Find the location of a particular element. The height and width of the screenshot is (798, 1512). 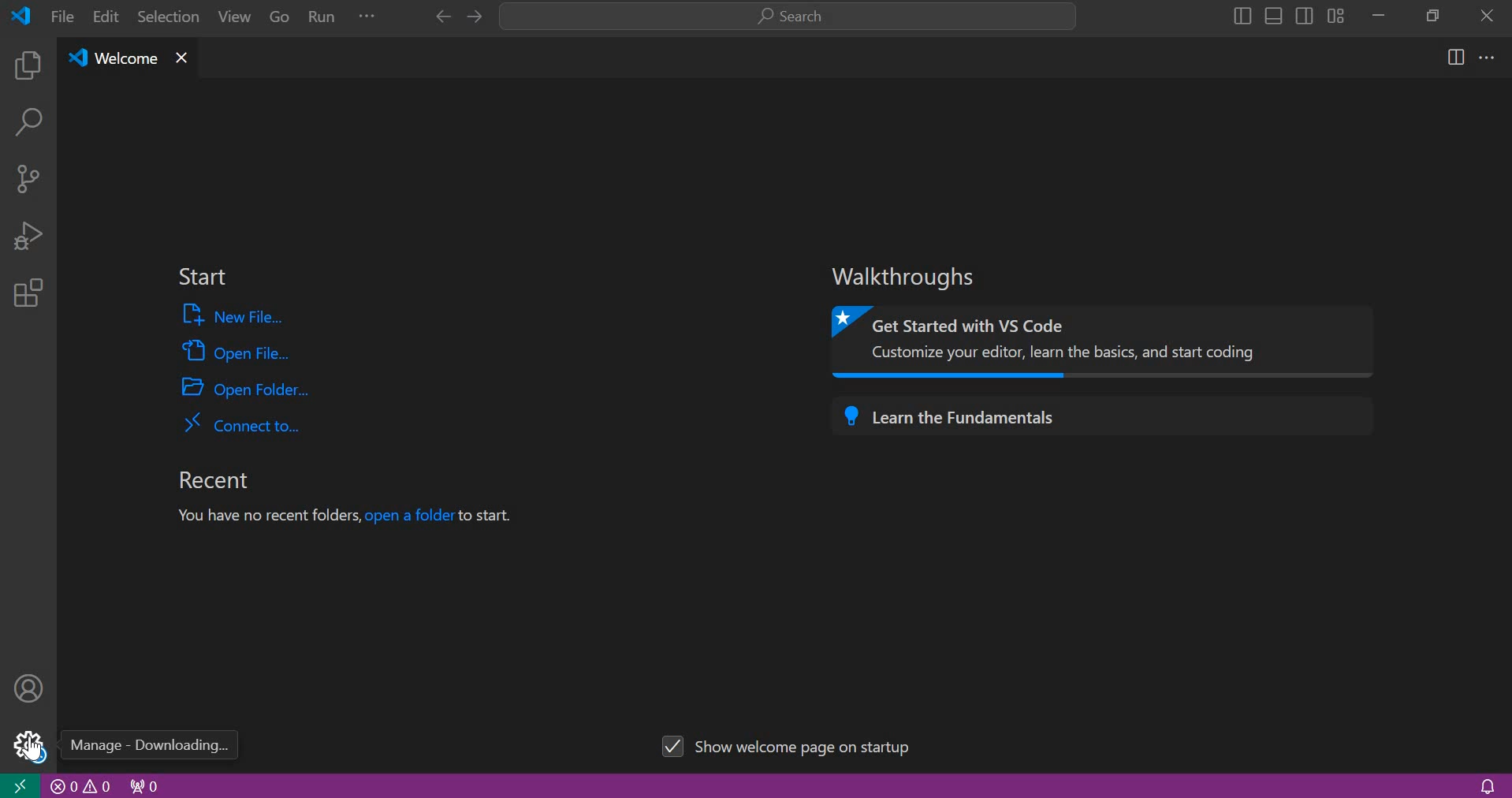

welcome is located at coordinates (112, 59).